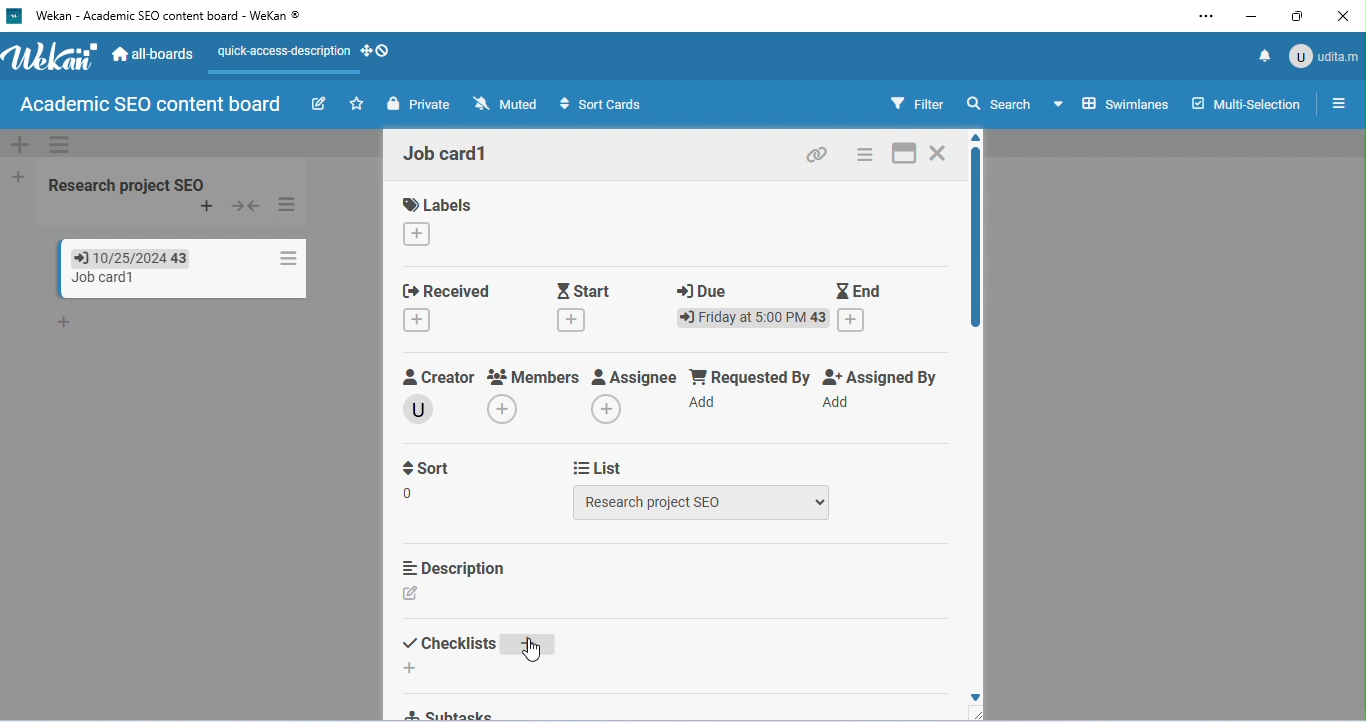  I want to click on list name: Research project SEO, so click(131, 184).